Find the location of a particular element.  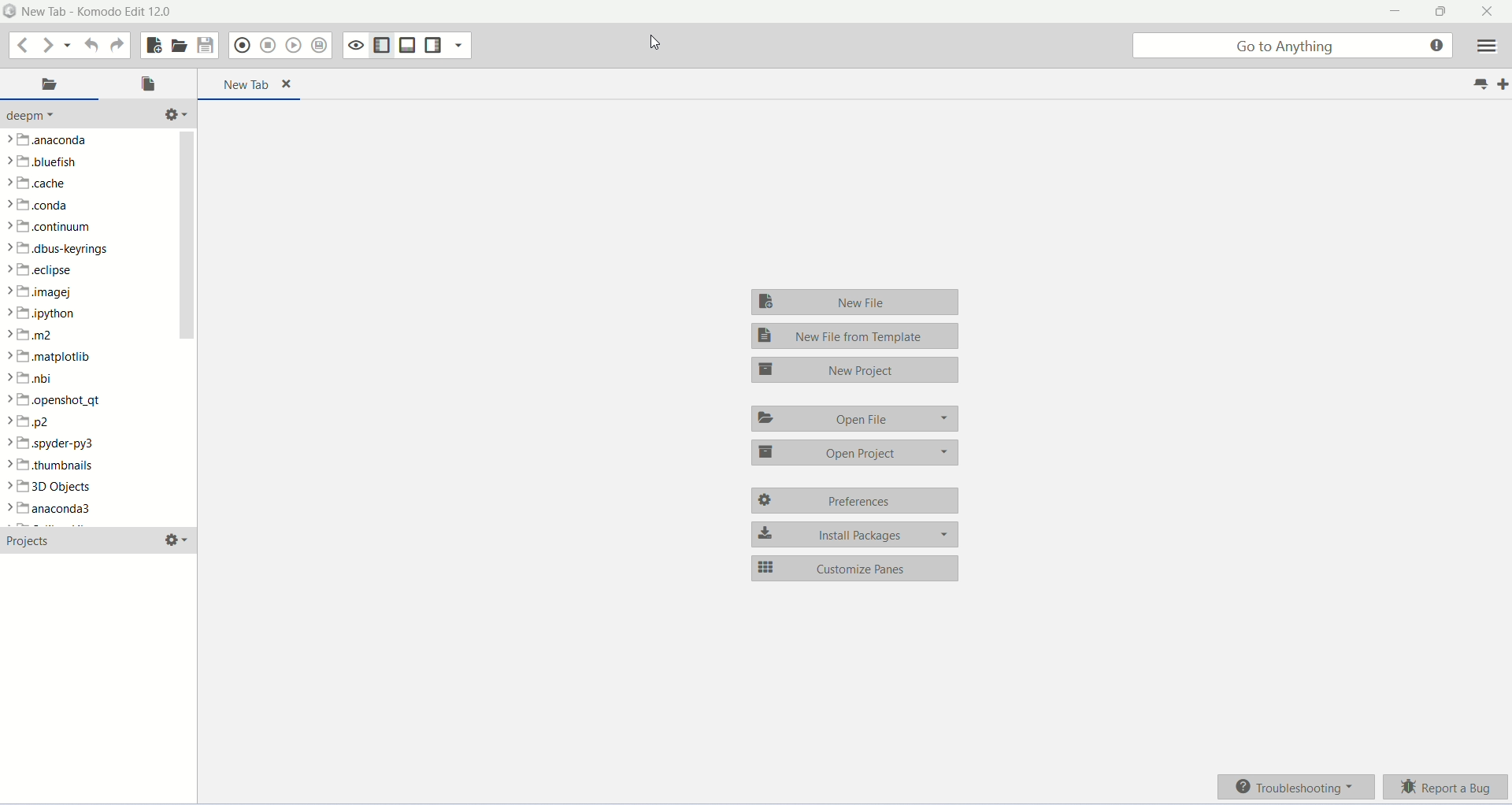

show/hide bottom pane is located at coordinates (407, 44).